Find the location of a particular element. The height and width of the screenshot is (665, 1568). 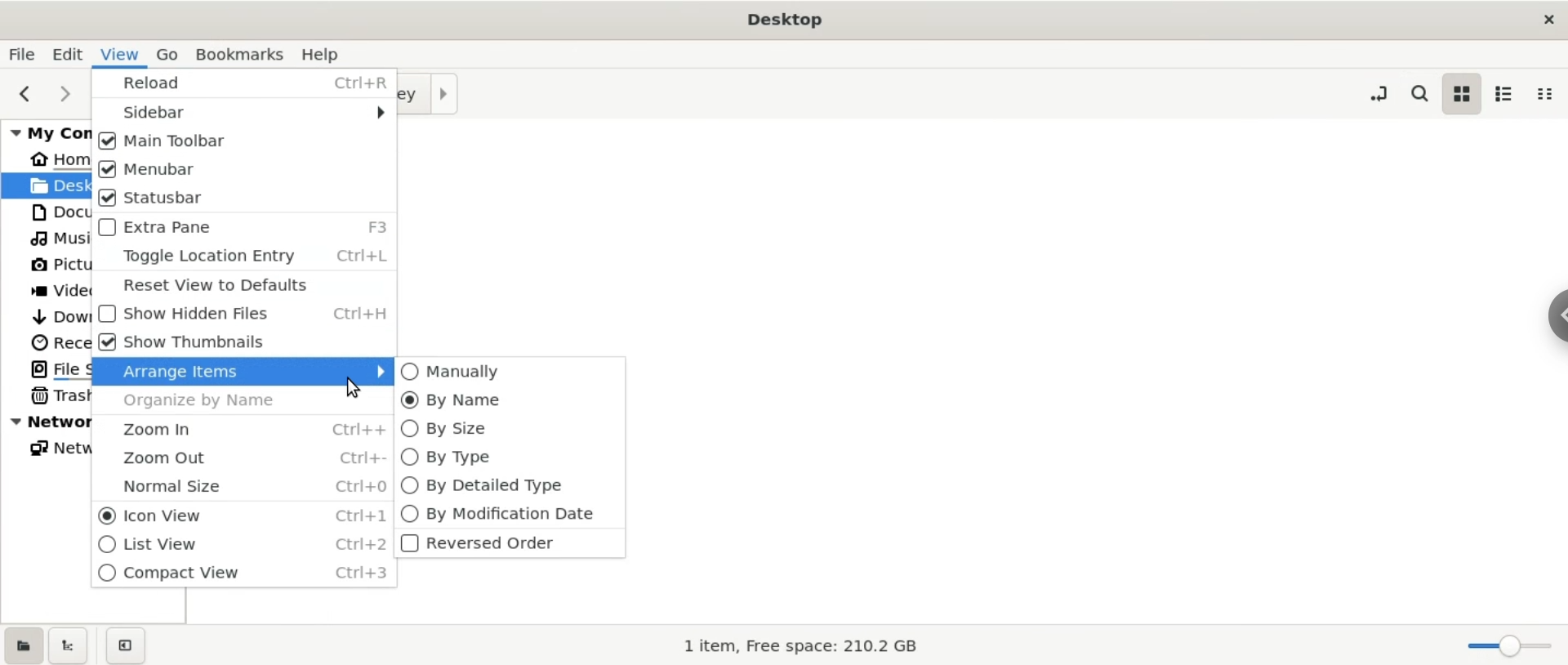

compact view is located at coordinates (243, 575).